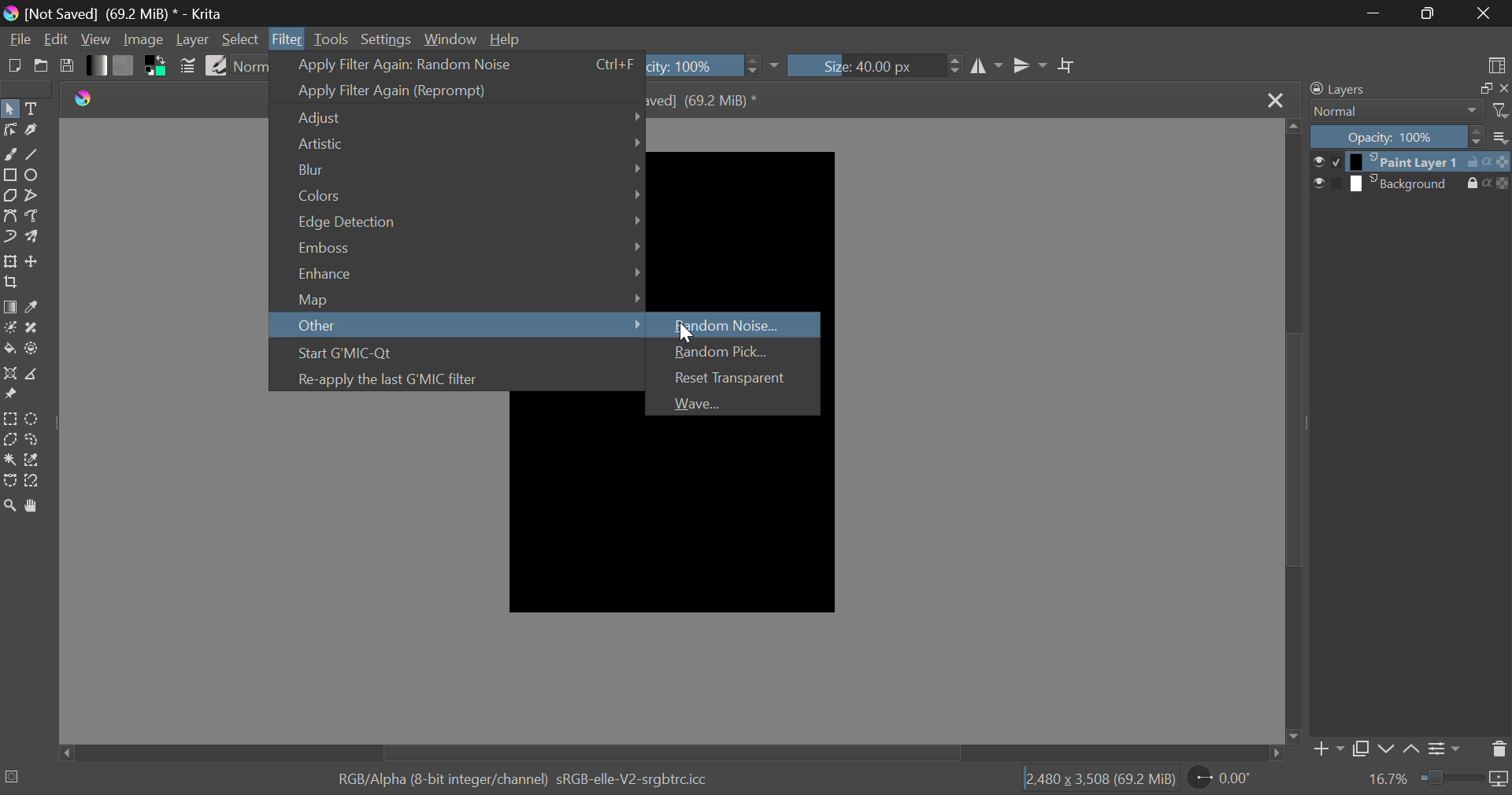  I want to click on Cursor on Random Noise, so click(681, 327).